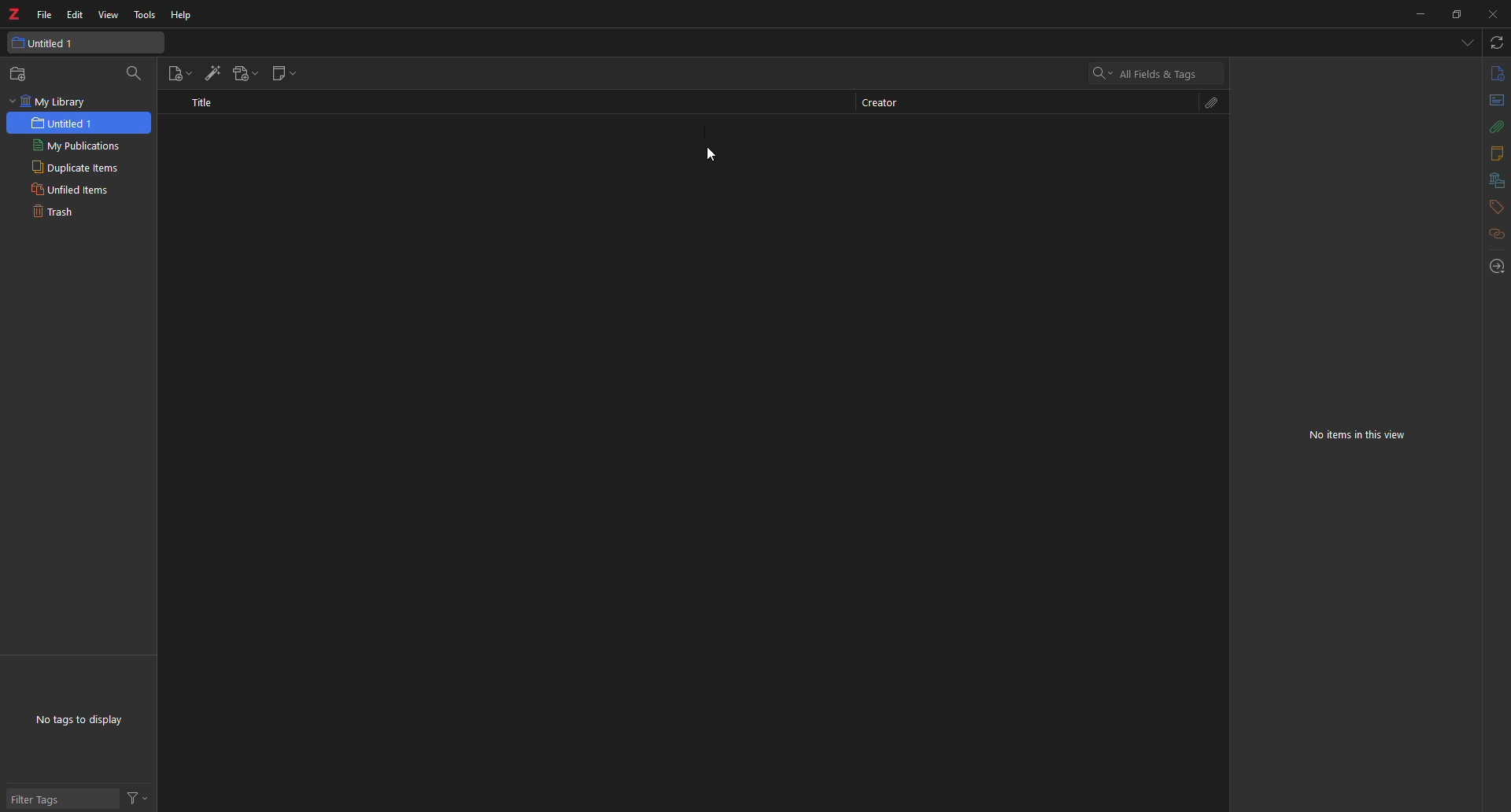 The height and width of the screenshot is (812, 1511). Describe the element at coordinates (140, 798) in the screenshot. I see `actions` at that location.